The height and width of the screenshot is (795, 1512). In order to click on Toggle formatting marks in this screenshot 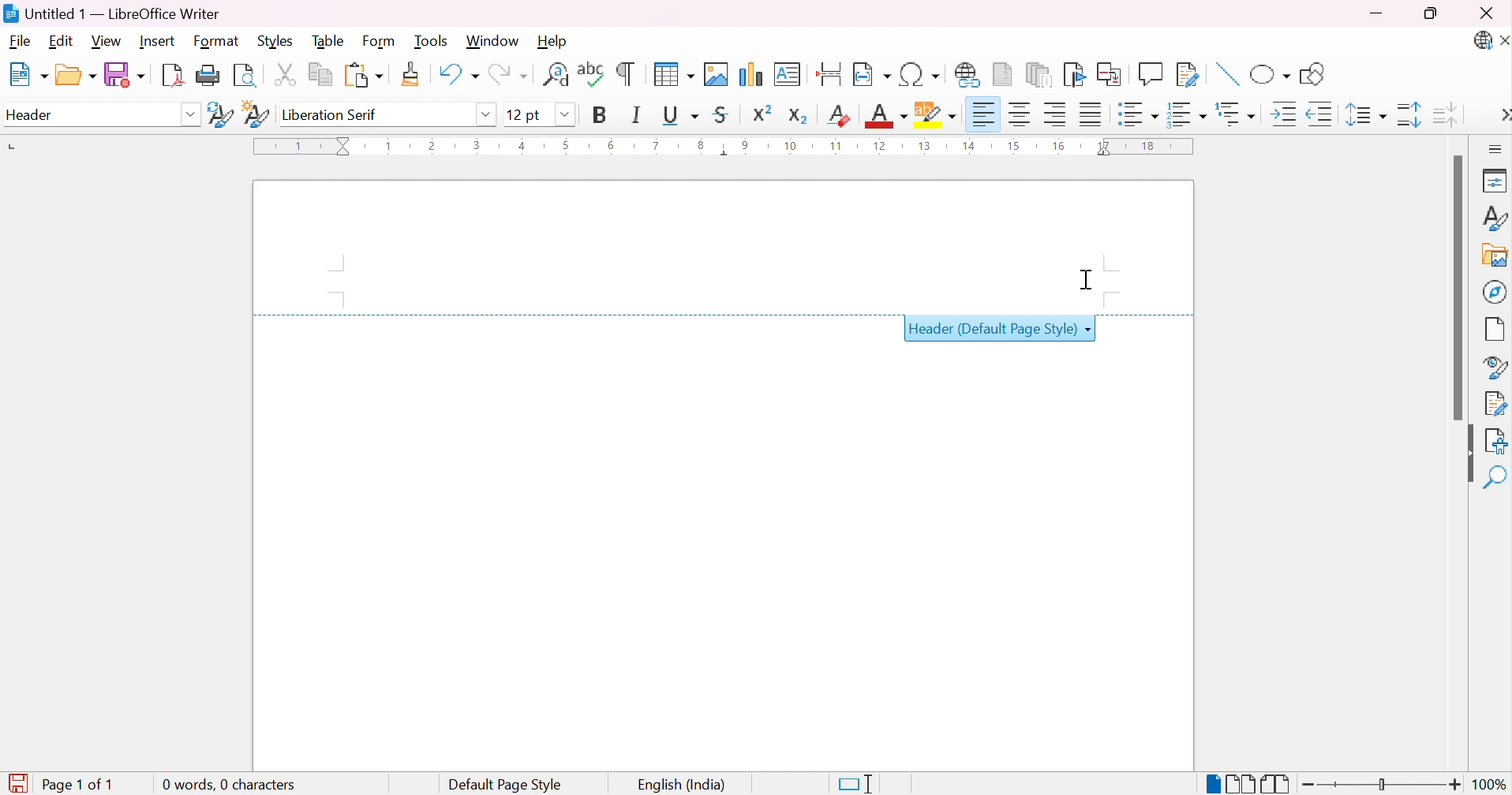, I will do `click(626, 73)`.